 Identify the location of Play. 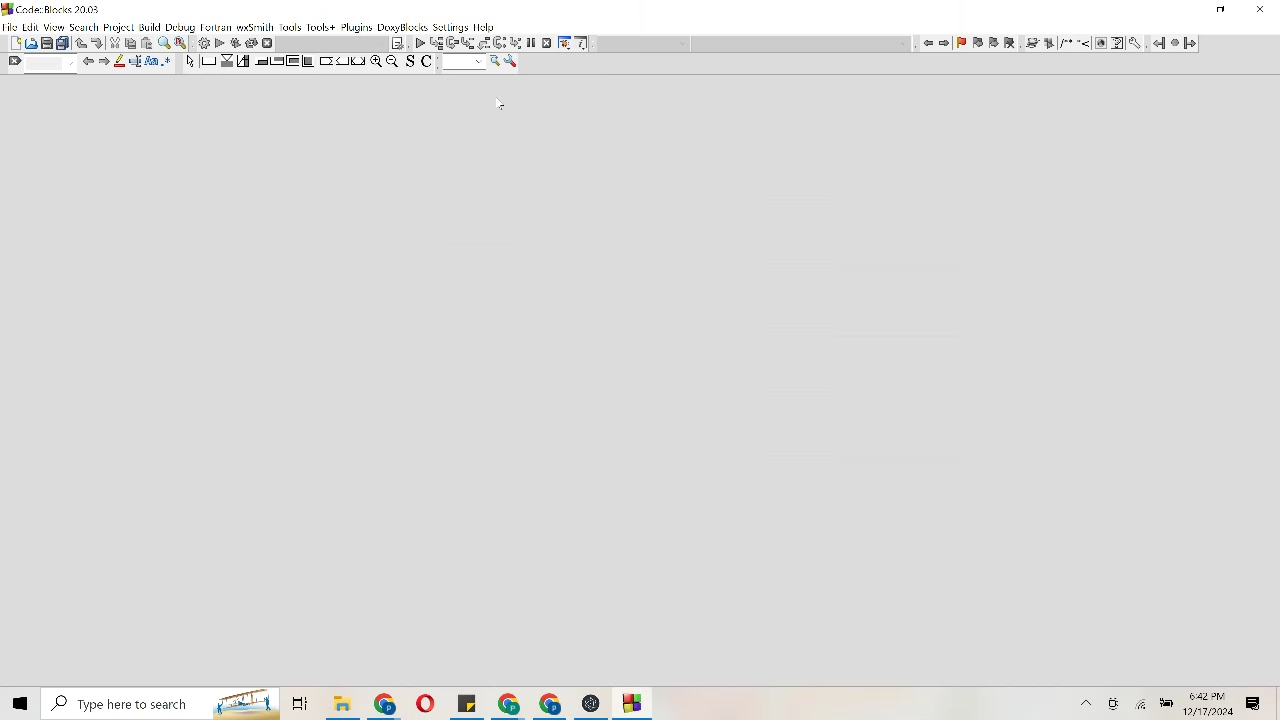
(421, 43).